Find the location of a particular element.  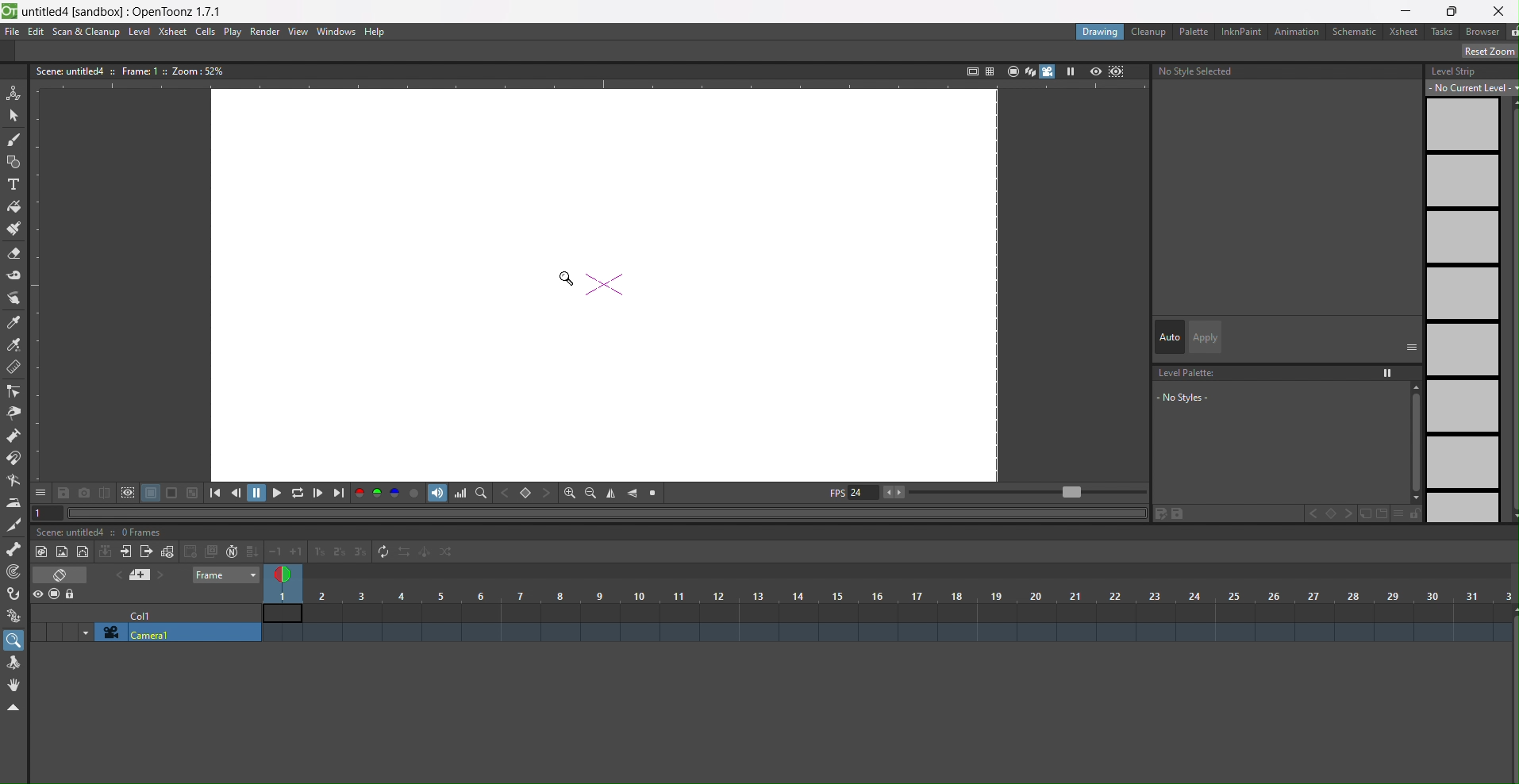

 is located at coordinates (13, 94).